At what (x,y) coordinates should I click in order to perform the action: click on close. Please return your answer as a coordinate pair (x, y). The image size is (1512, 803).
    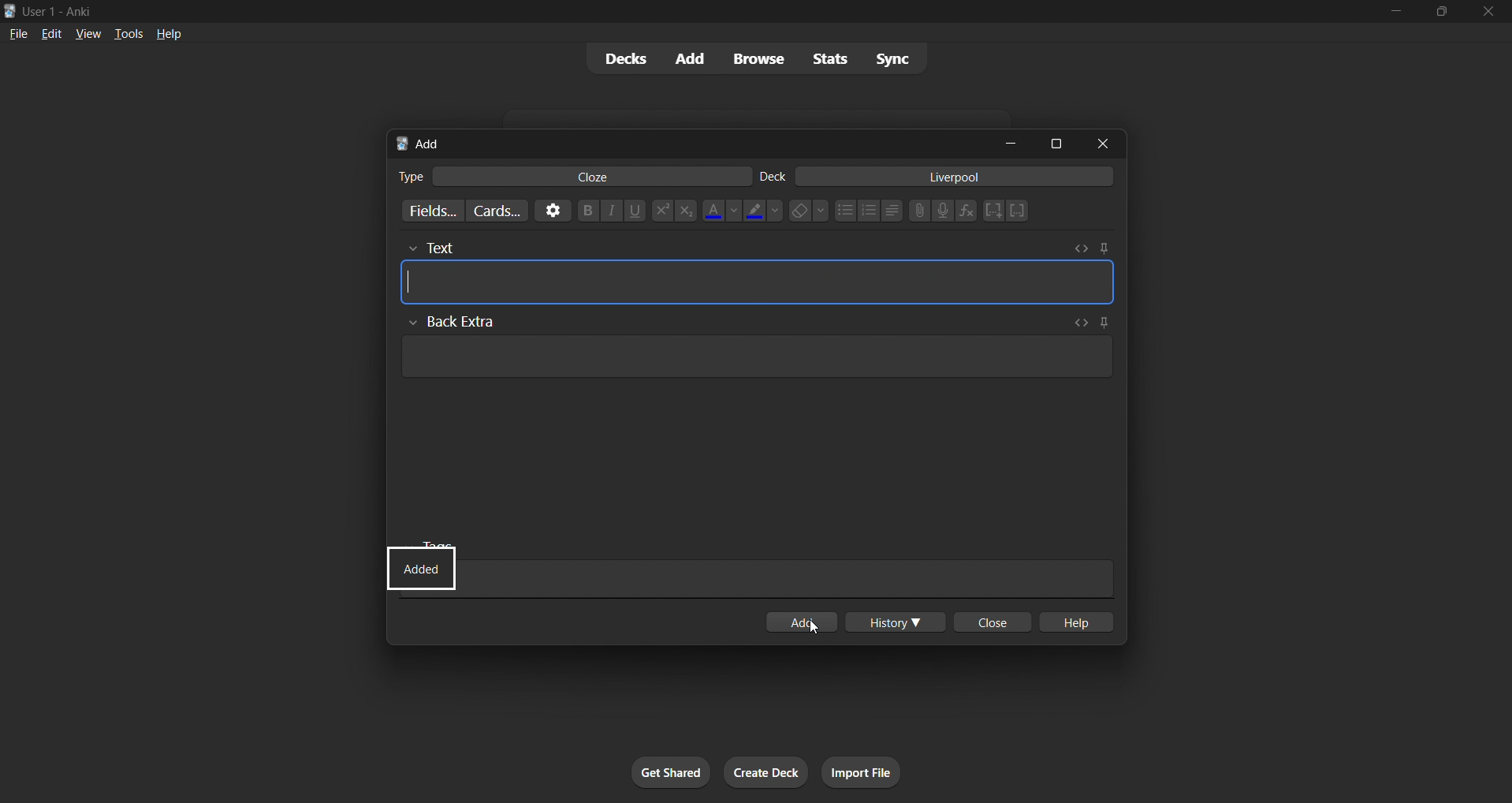
    Looking at the image, I should click on (994, 622).